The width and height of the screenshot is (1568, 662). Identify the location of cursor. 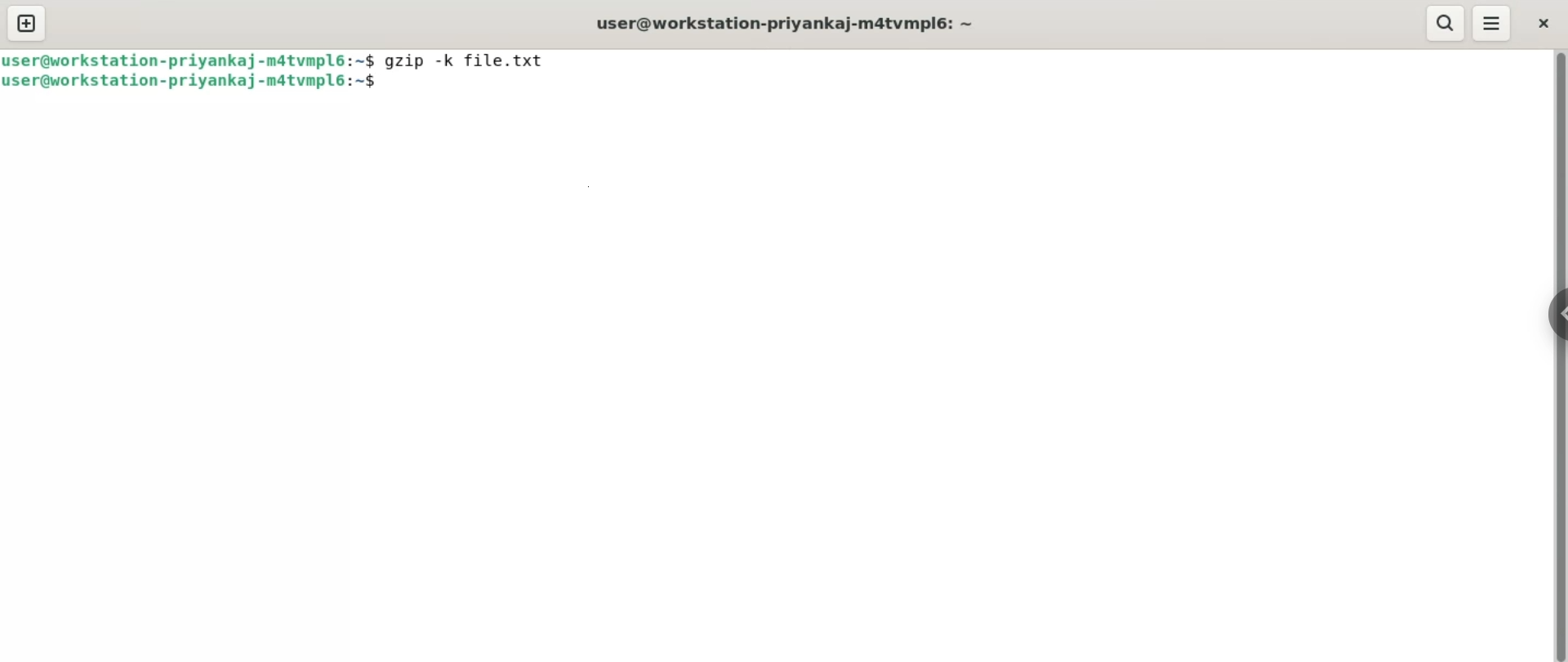
(382, 89).